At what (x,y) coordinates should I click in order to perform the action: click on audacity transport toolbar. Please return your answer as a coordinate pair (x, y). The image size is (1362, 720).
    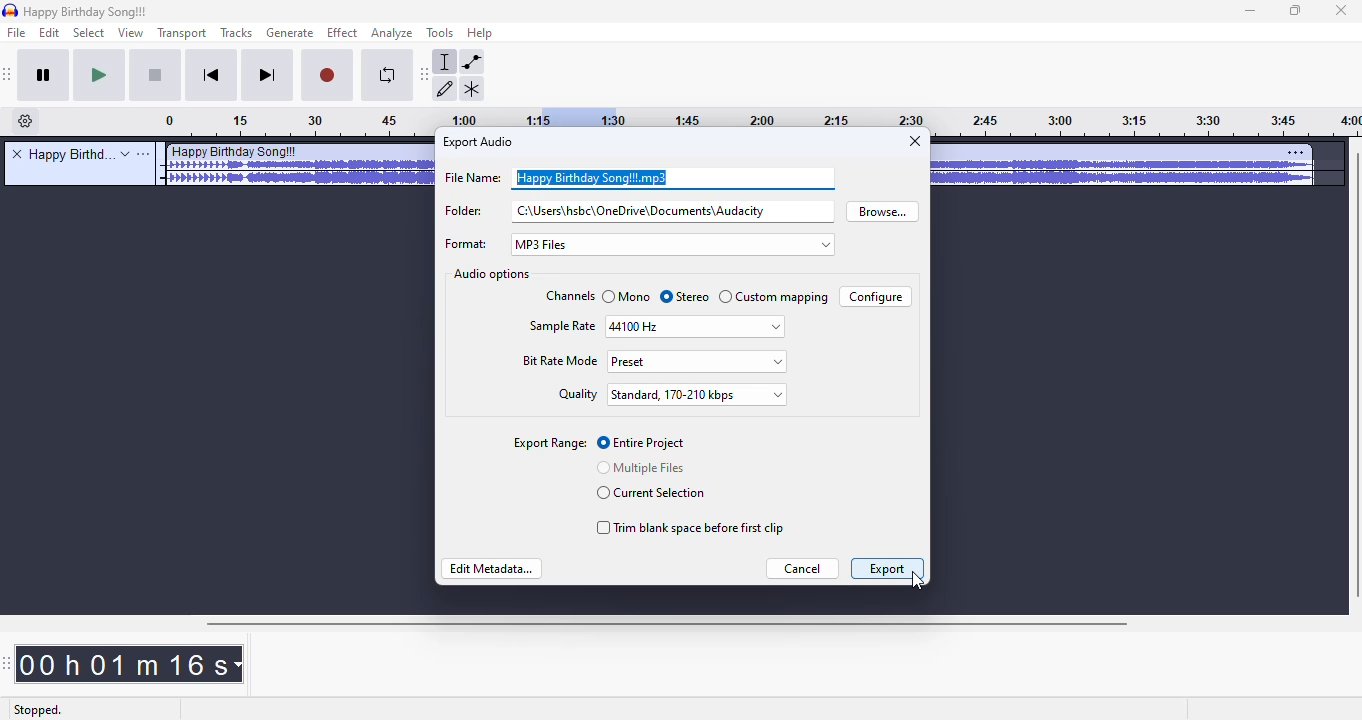
    Looking at the image, I should click on (9, 75).